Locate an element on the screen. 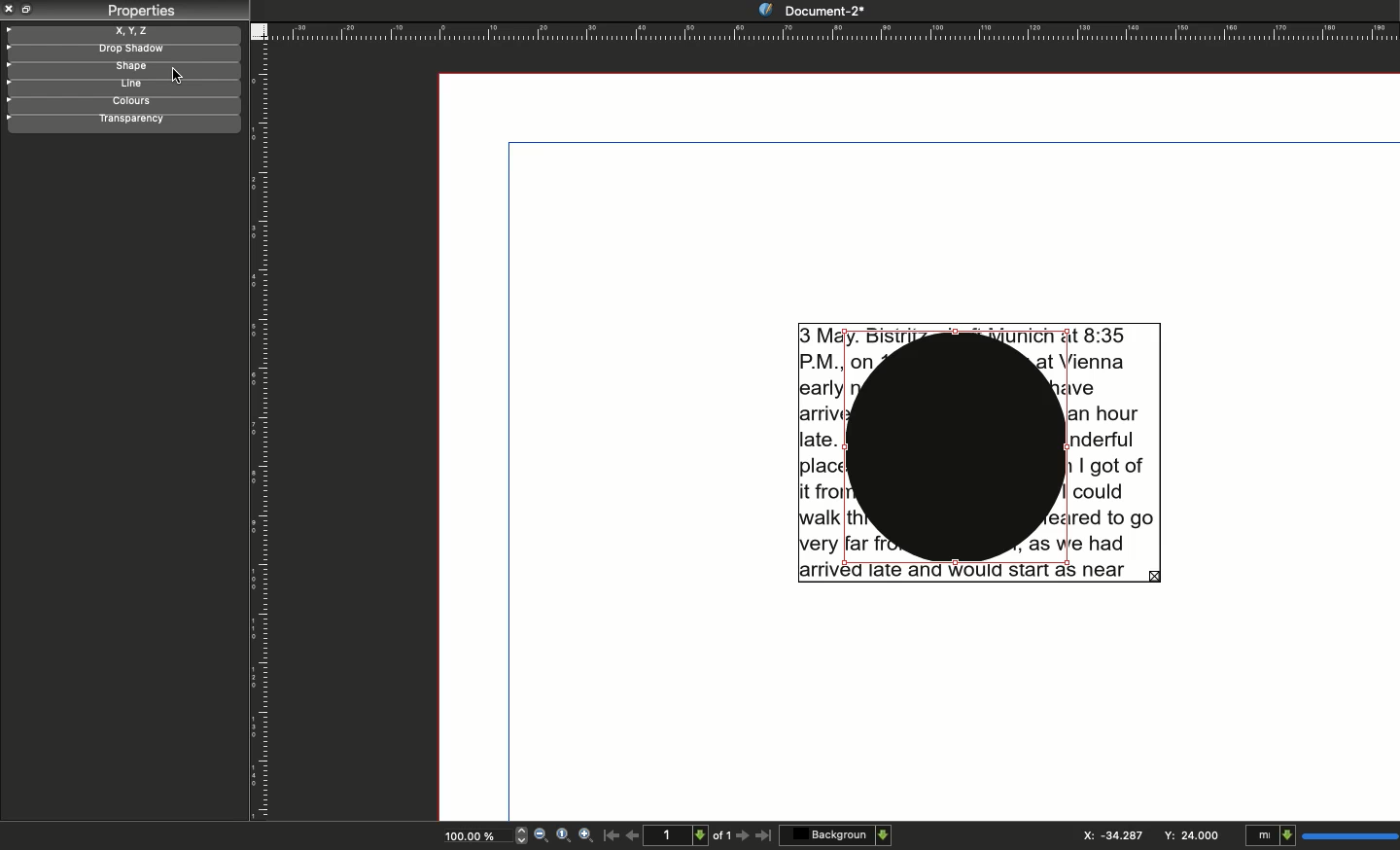  Shape selected is located at coordinates (957, 450).